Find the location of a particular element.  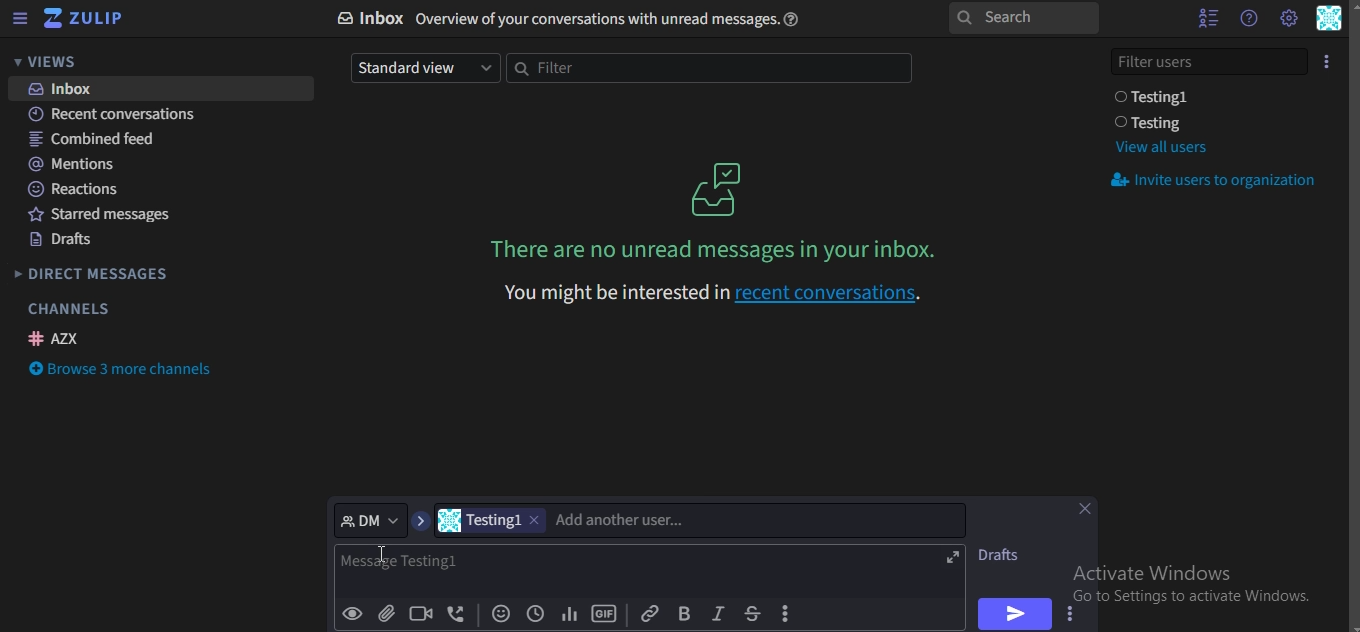

Add poll is located at coordinates (569, 615).